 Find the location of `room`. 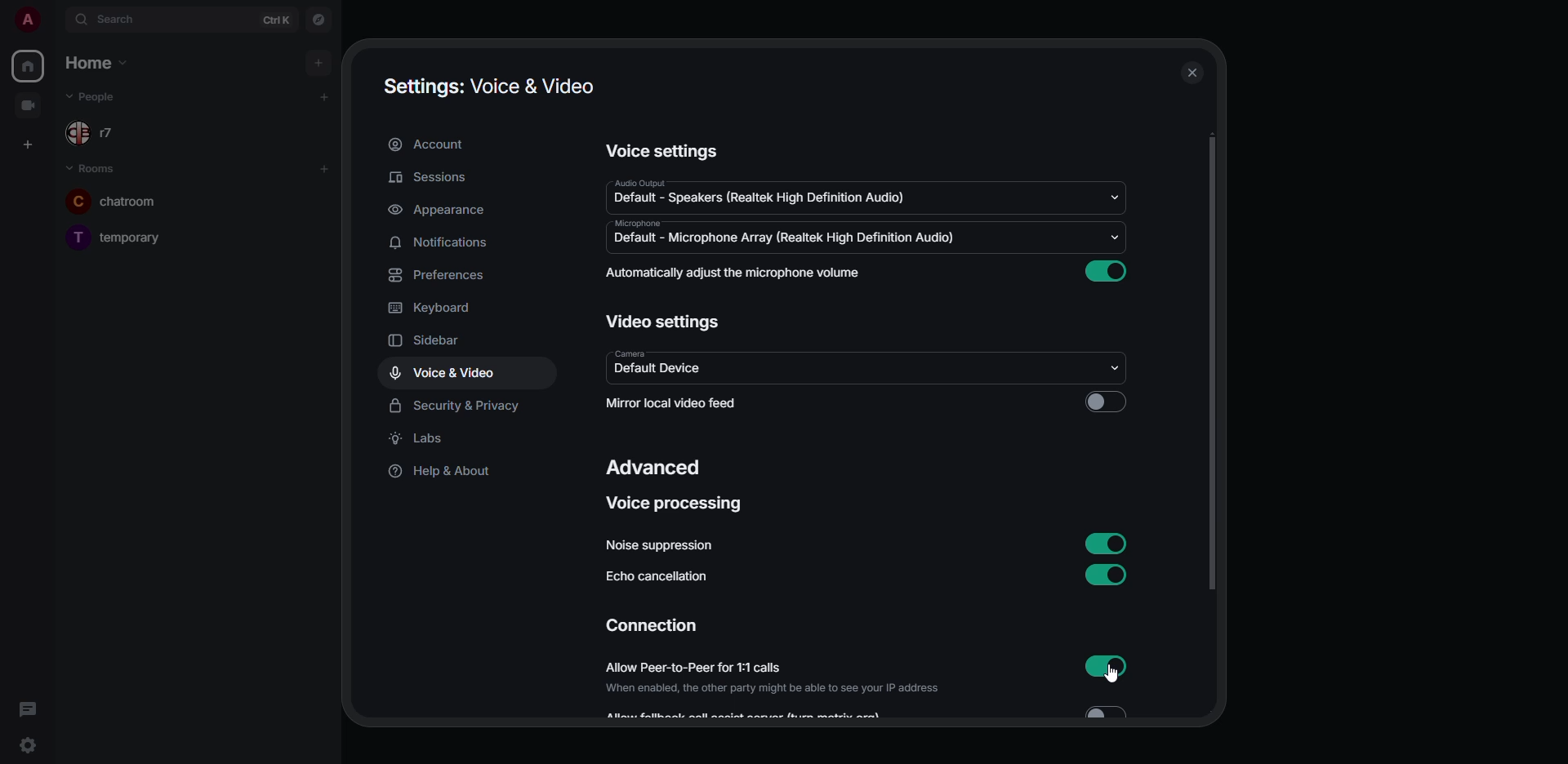

room is located at coordinates (125, 198).